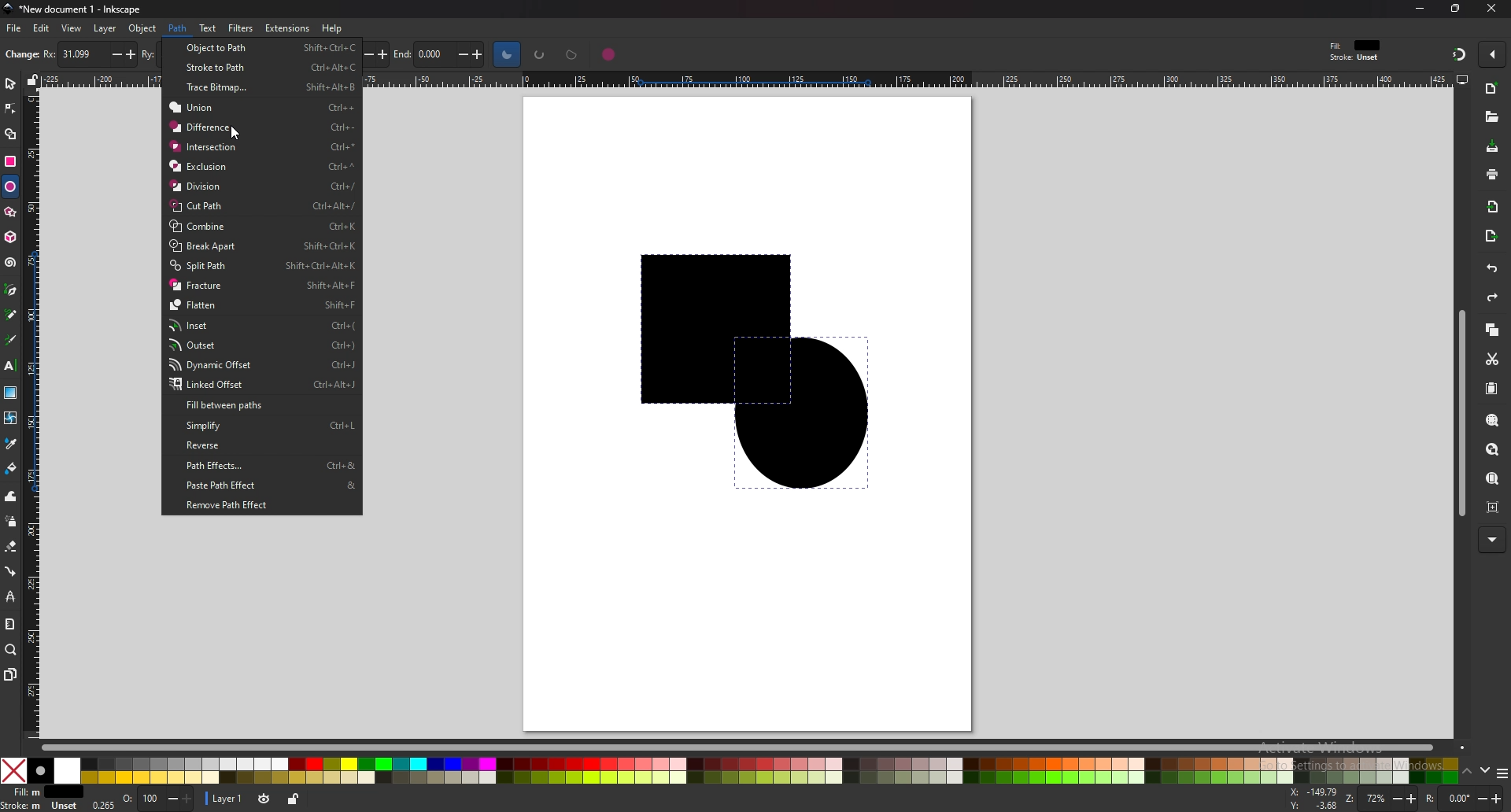 The image size is (1511, 812). I want to click on zoom center, so click(1494, 507).